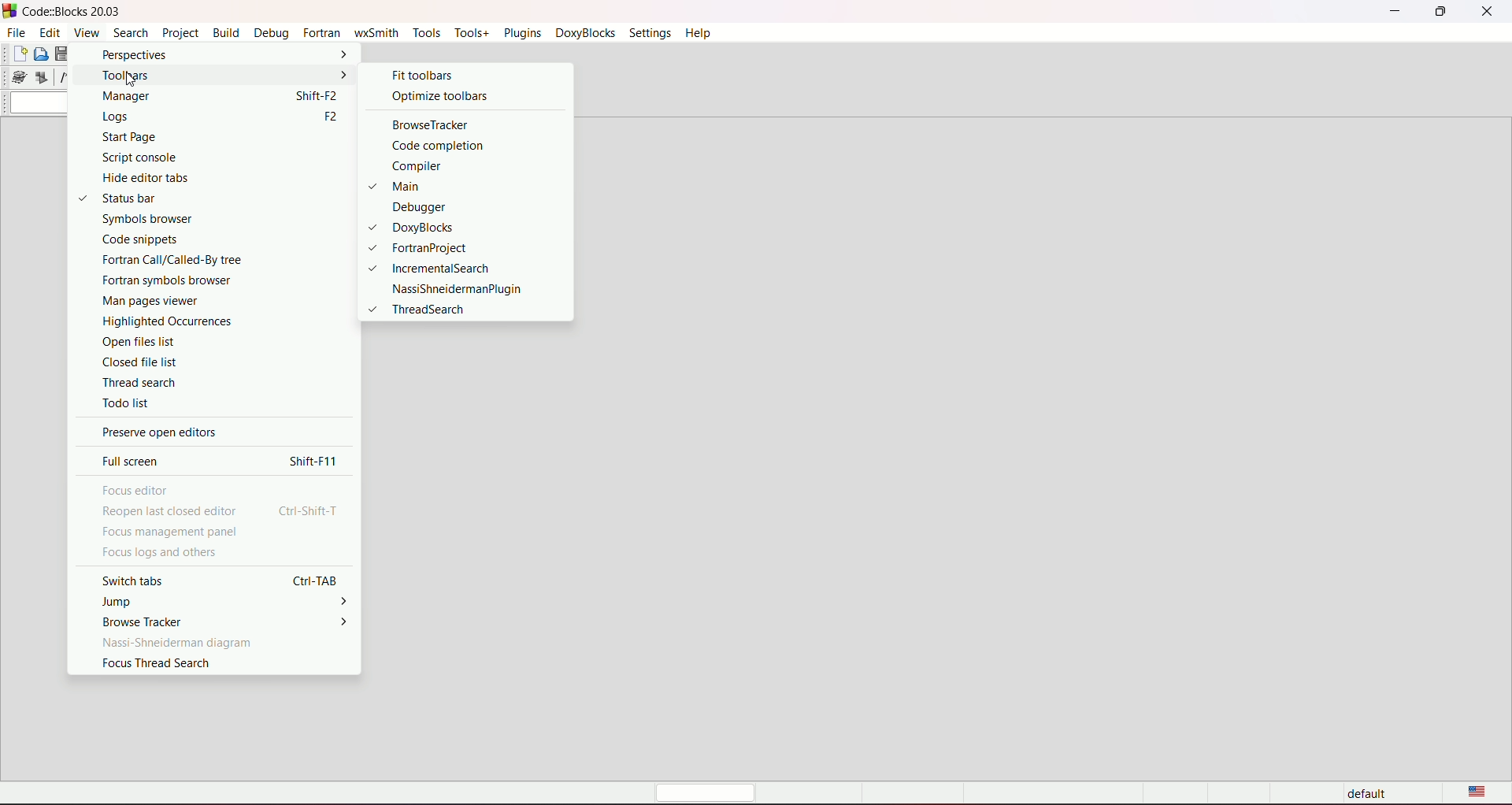 The height and width of the screenshot is (805, 1512). Describe the element at coordinates (1439, 12) in the screenshot. I see `minimize/maximize` at that location.